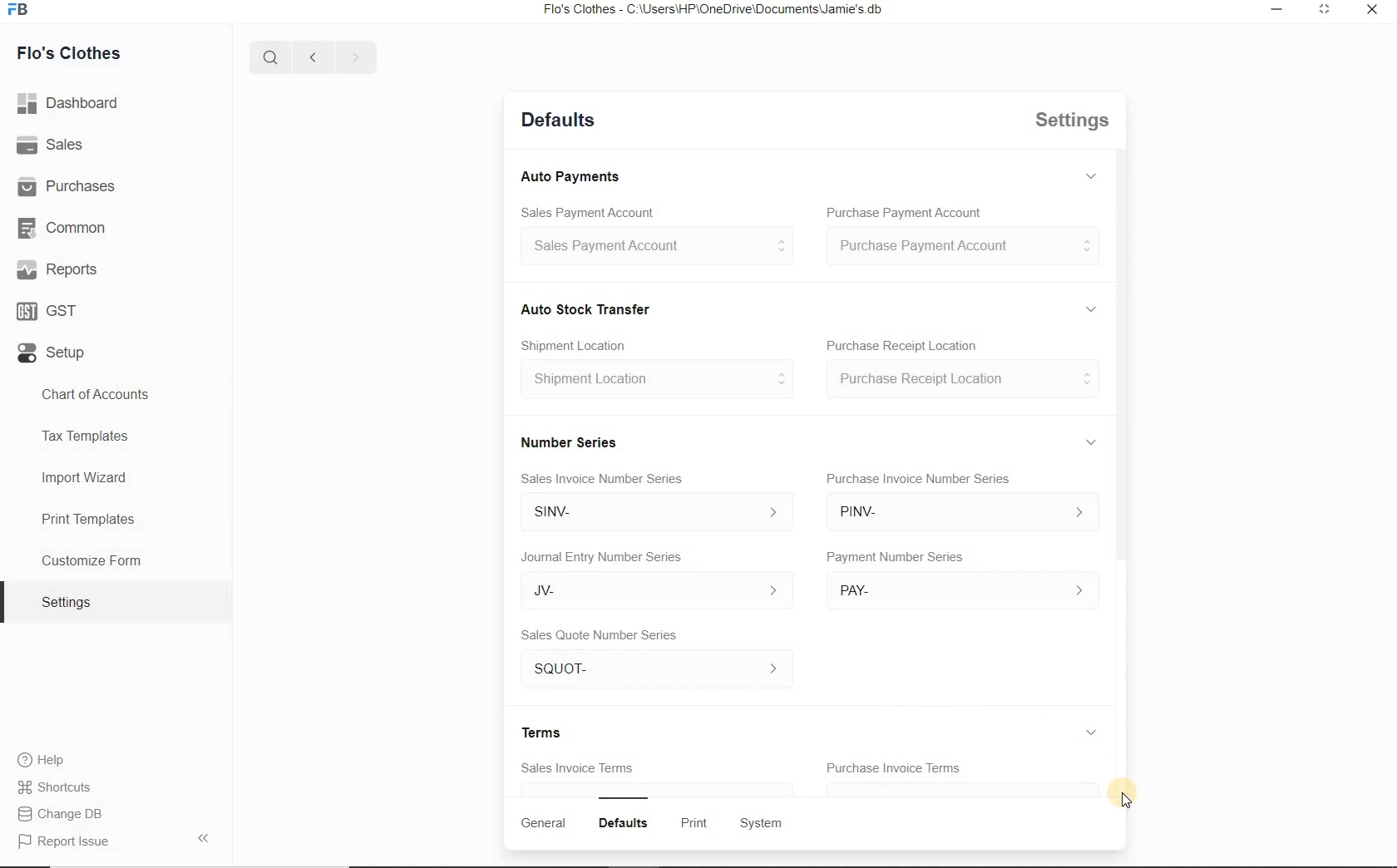 This screenshot has width=1397, height=868. I want to click on Journal Entry Number Series, so click(601, 555).